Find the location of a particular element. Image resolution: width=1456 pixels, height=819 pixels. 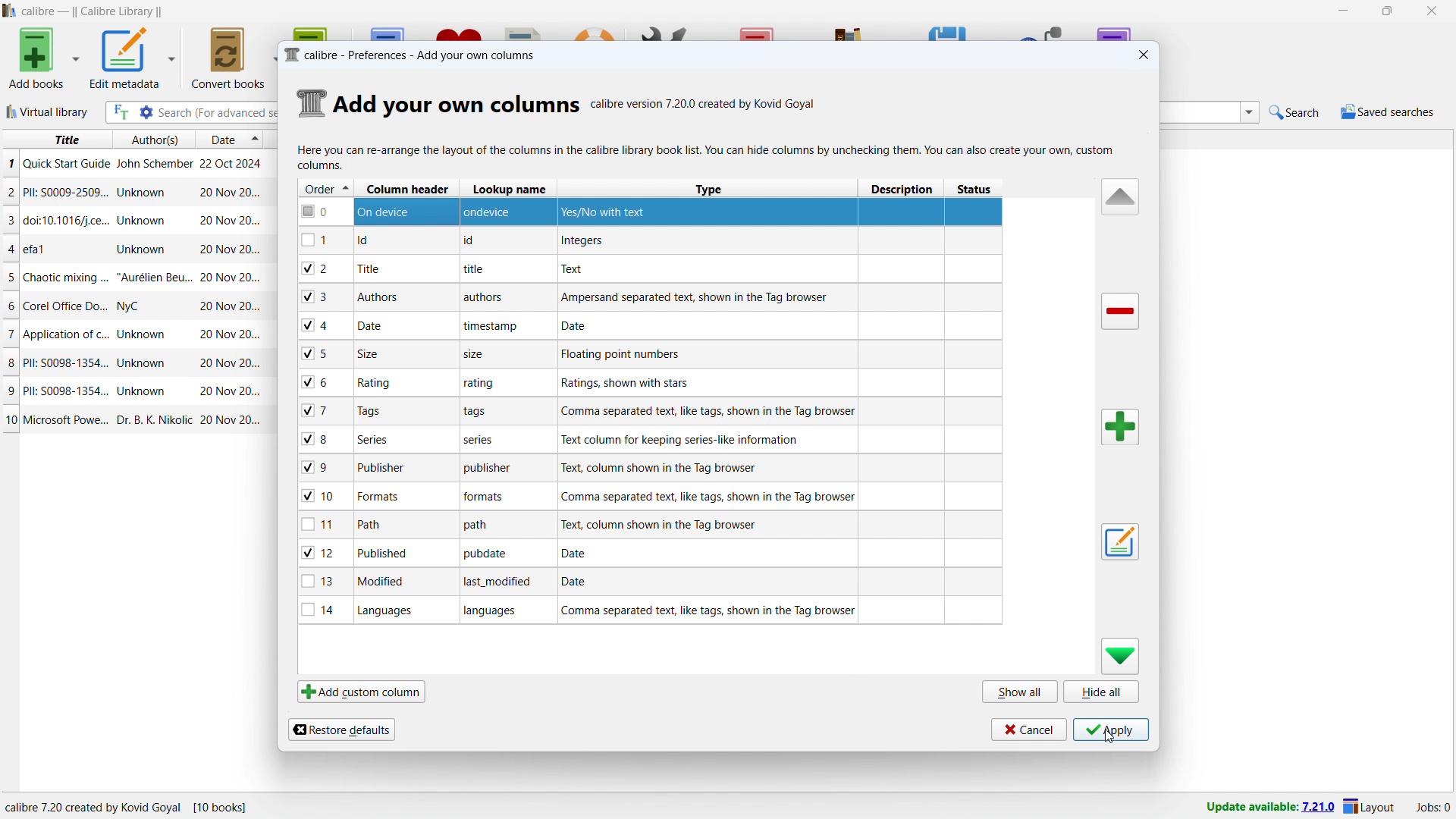

remove column is located at coordinates (1122, 311).